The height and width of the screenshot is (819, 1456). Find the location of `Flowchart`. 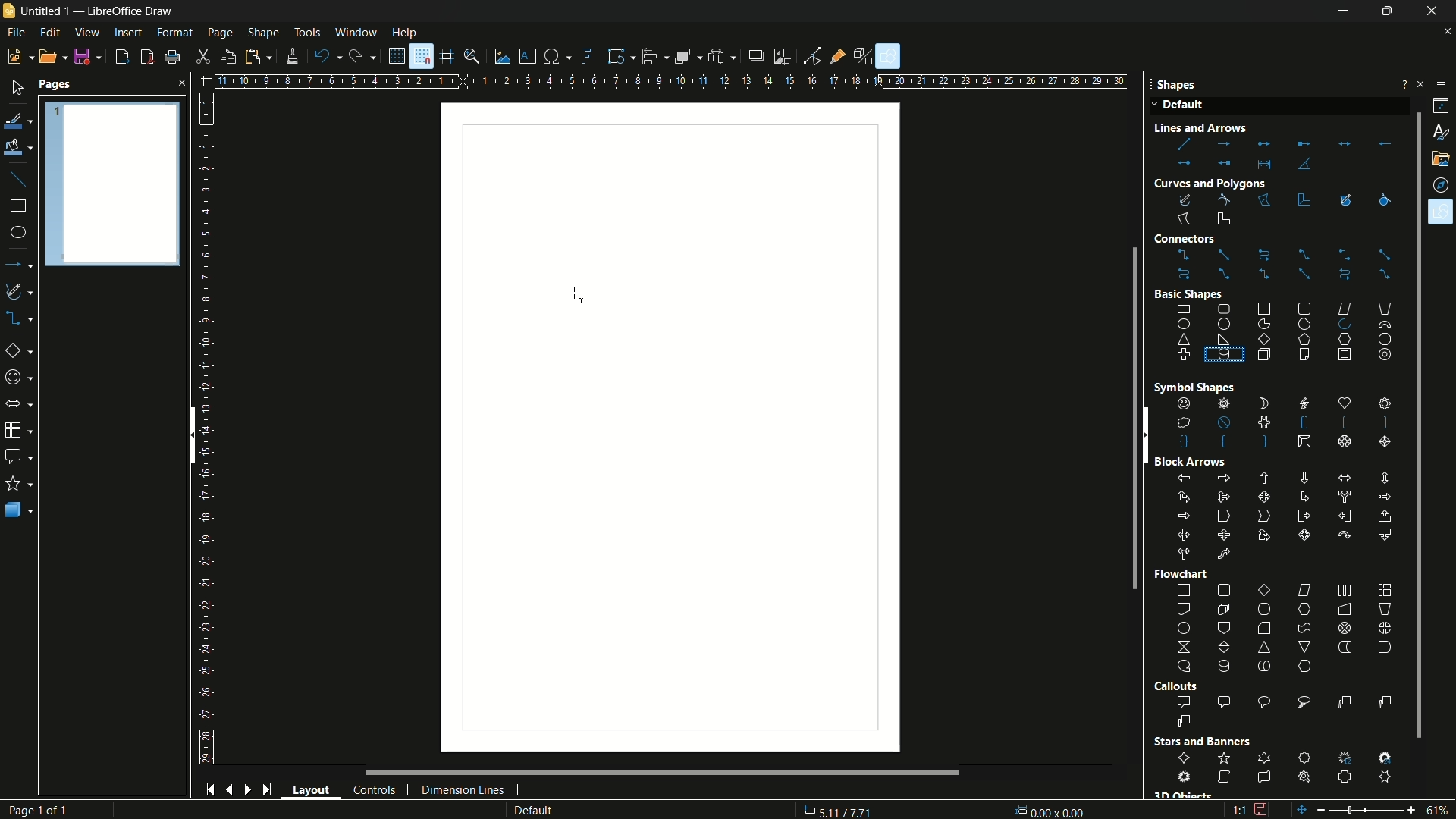

Flowchart is located at coordinates (1183, 574).